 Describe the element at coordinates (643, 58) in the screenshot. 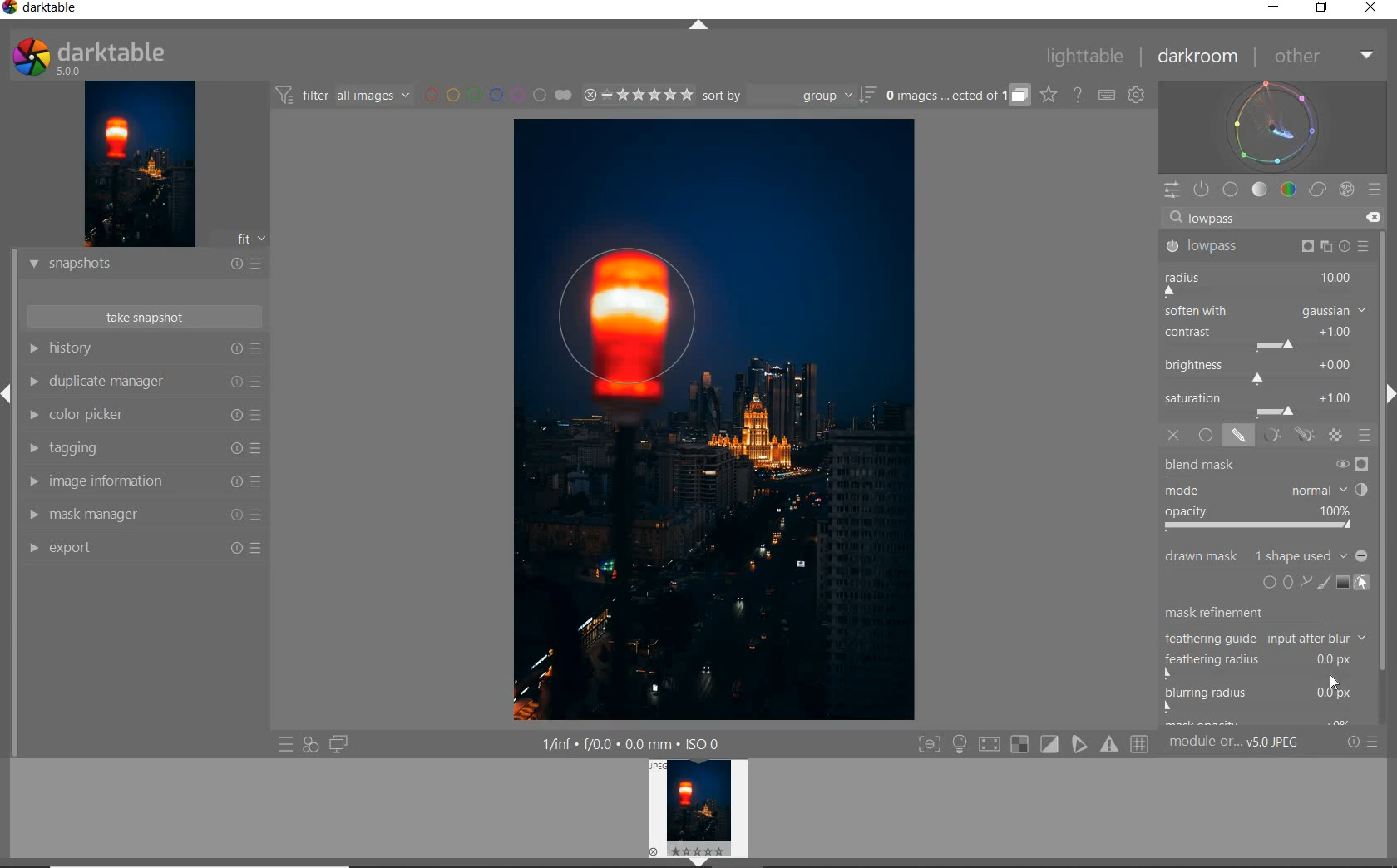

I see `Size, feather size, opacity ` at that location.